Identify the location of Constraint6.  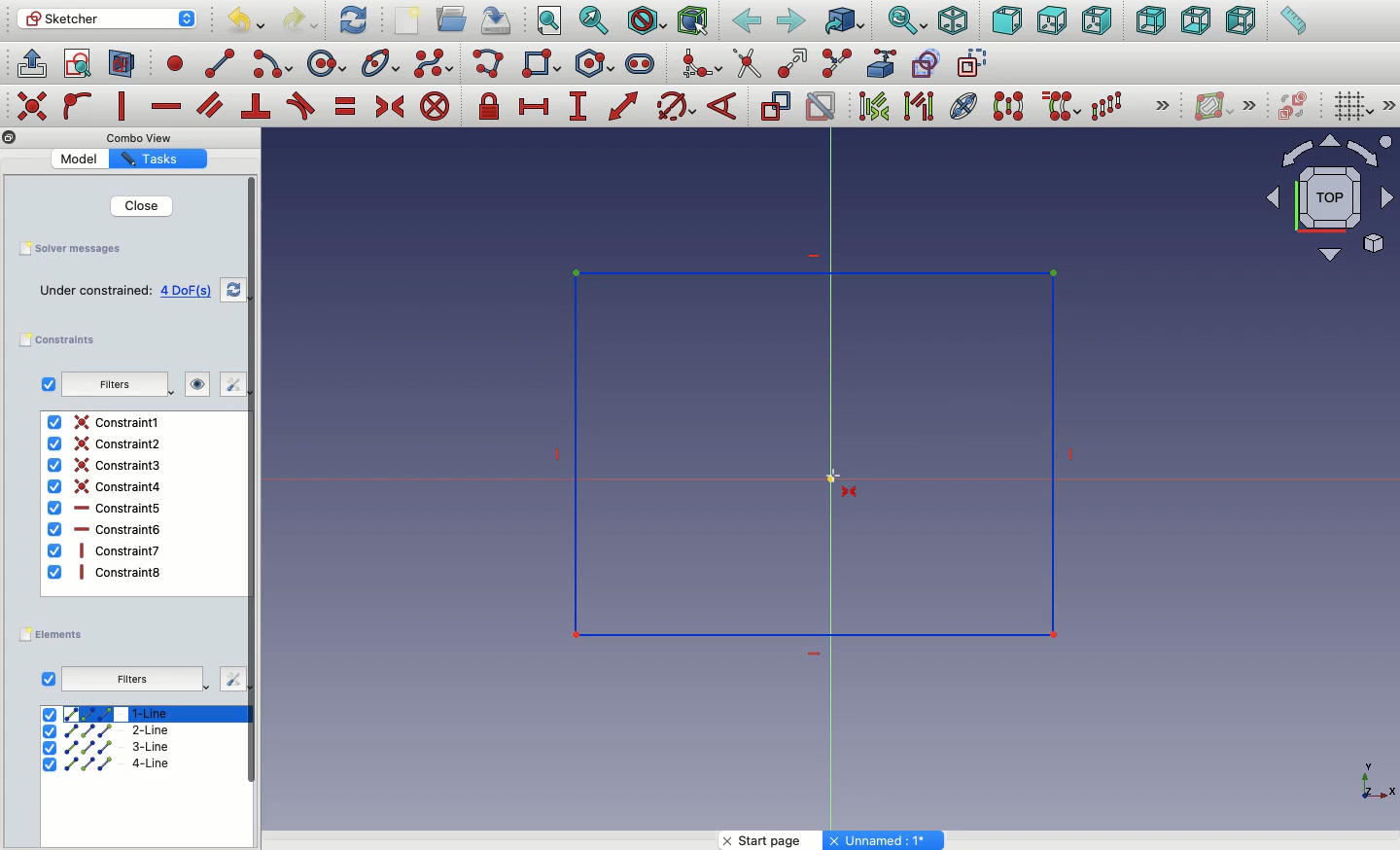
(105, 529).